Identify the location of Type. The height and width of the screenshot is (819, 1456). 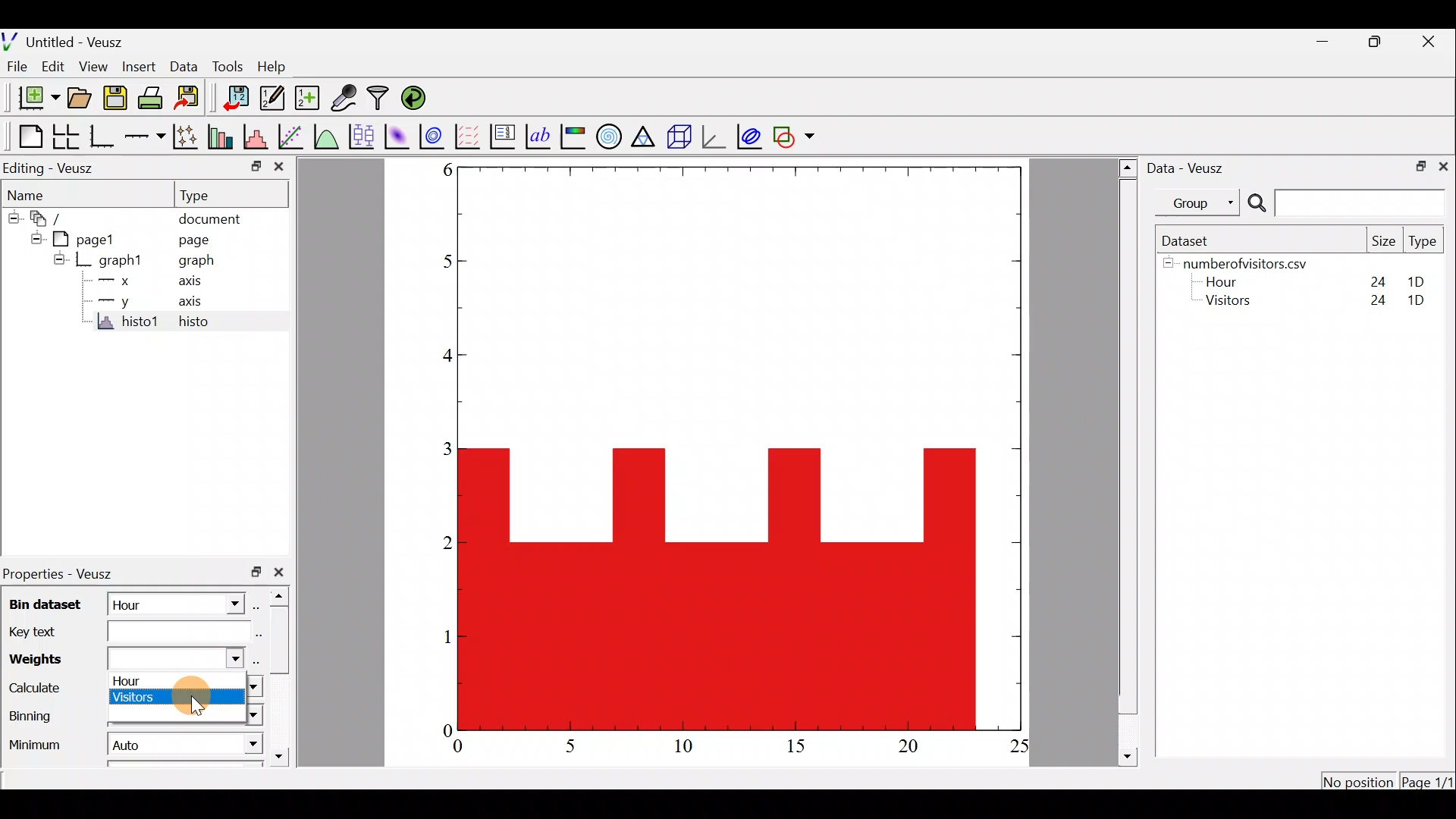
(203, 195).